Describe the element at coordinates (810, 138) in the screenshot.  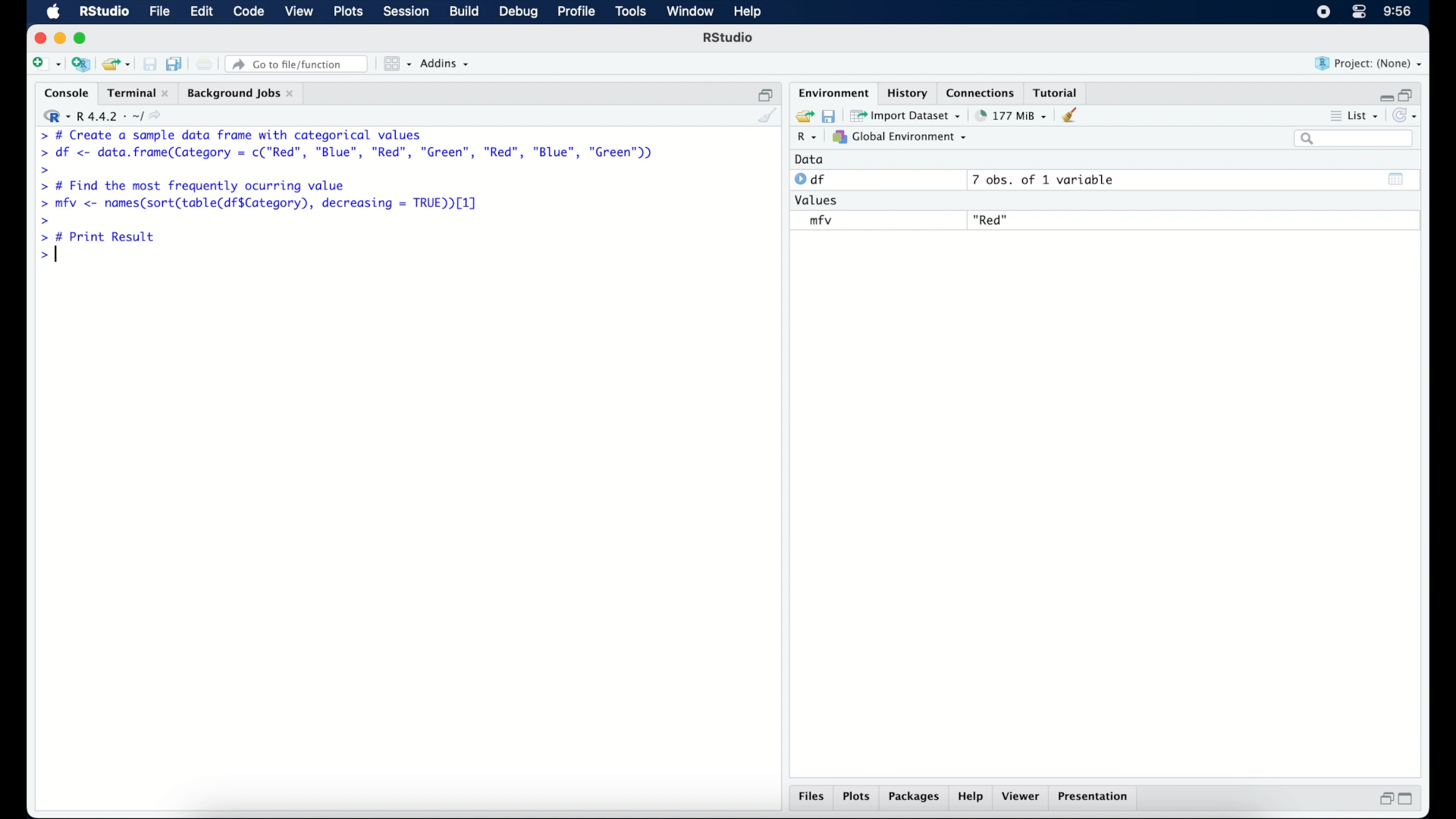
I see `R` at that location.